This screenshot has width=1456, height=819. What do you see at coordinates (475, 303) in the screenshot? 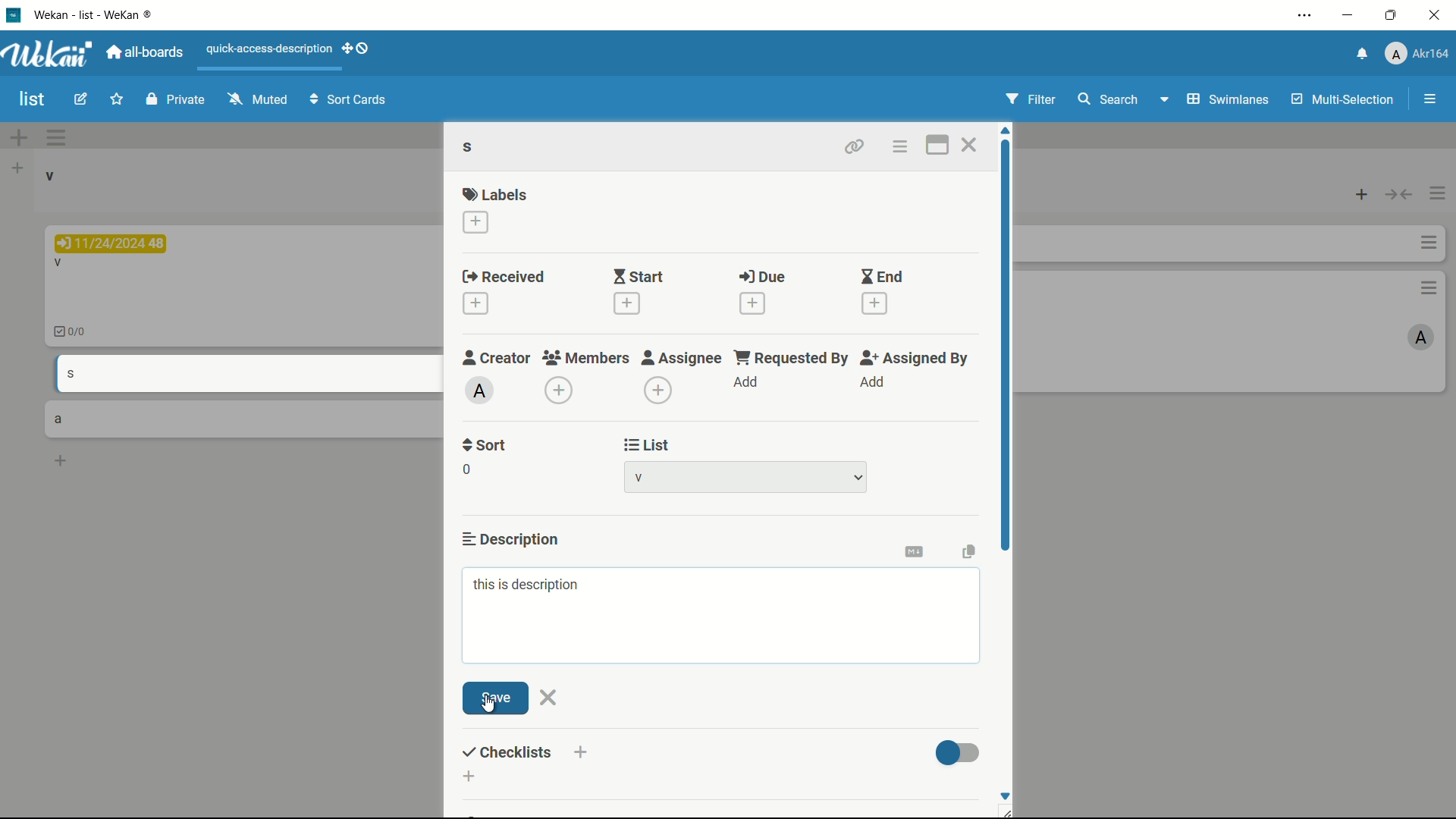
I see `add received date` at bounding box center [475, 303].